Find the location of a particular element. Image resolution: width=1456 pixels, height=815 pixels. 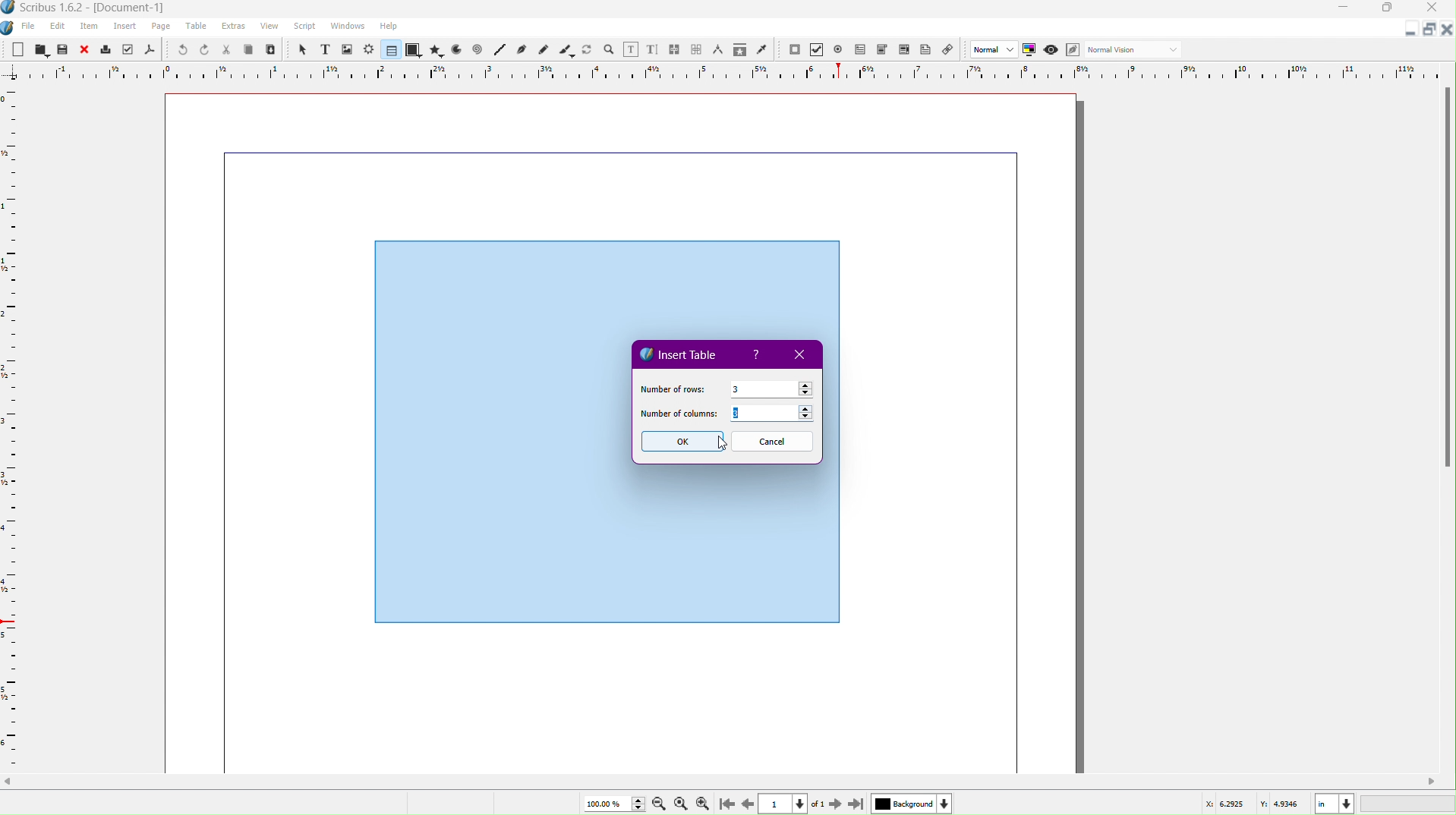

Image Frame is located at coordinates (348, 49).